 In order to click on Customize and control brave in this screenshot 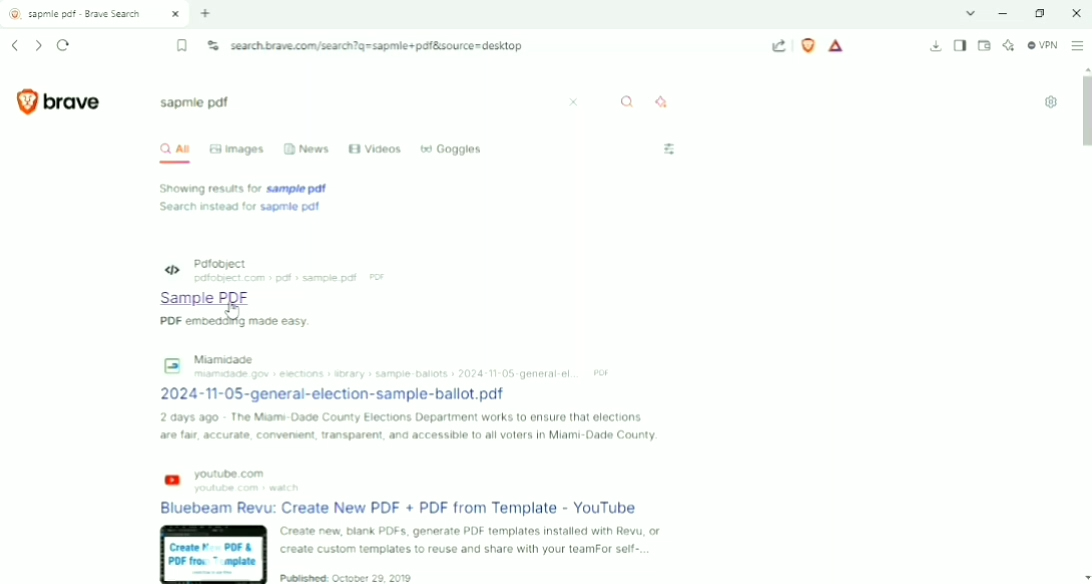, I will do `click(1078, 45)`.